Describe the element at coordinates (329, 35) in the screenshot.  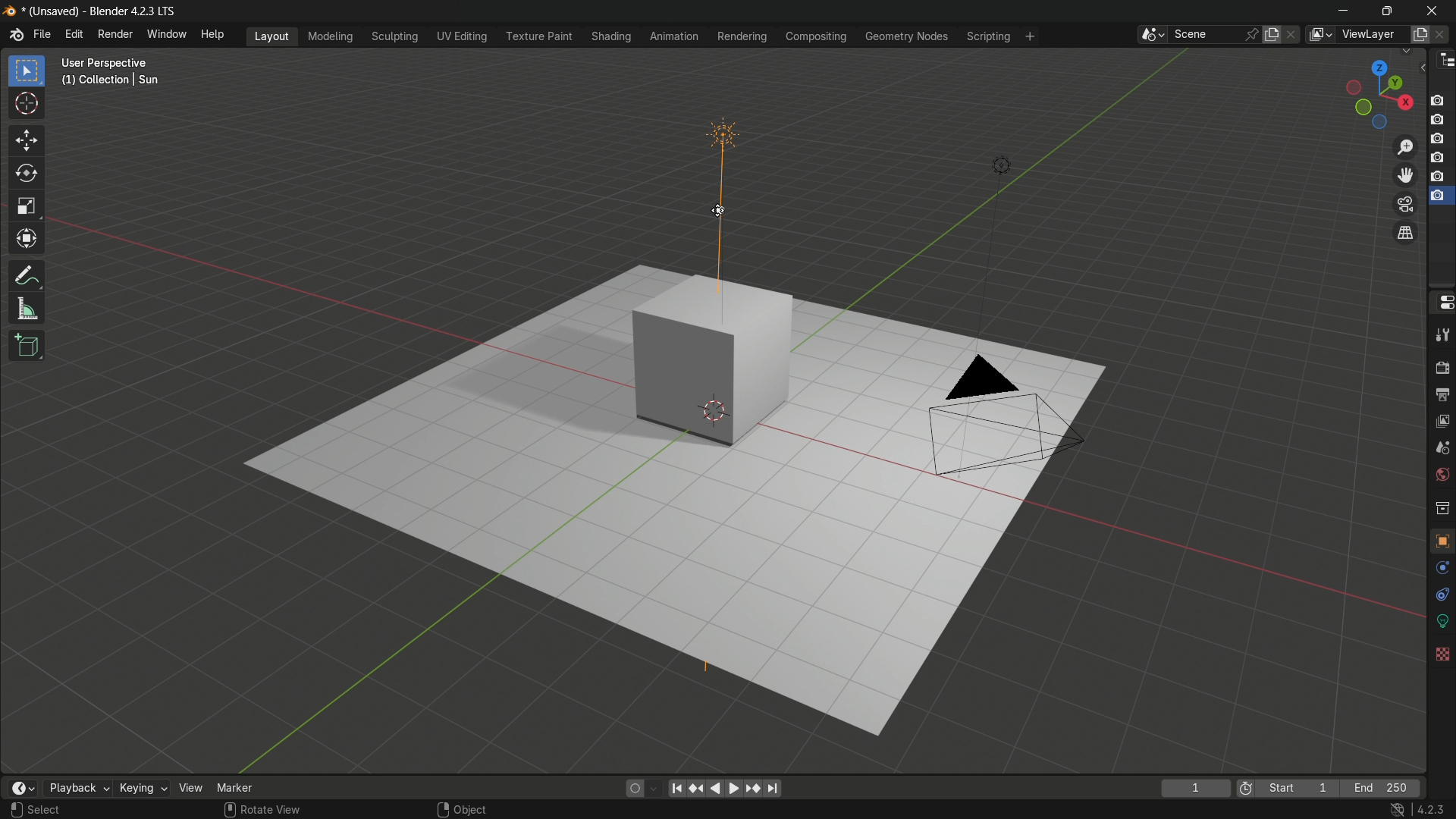
I see `modeling` at that location.